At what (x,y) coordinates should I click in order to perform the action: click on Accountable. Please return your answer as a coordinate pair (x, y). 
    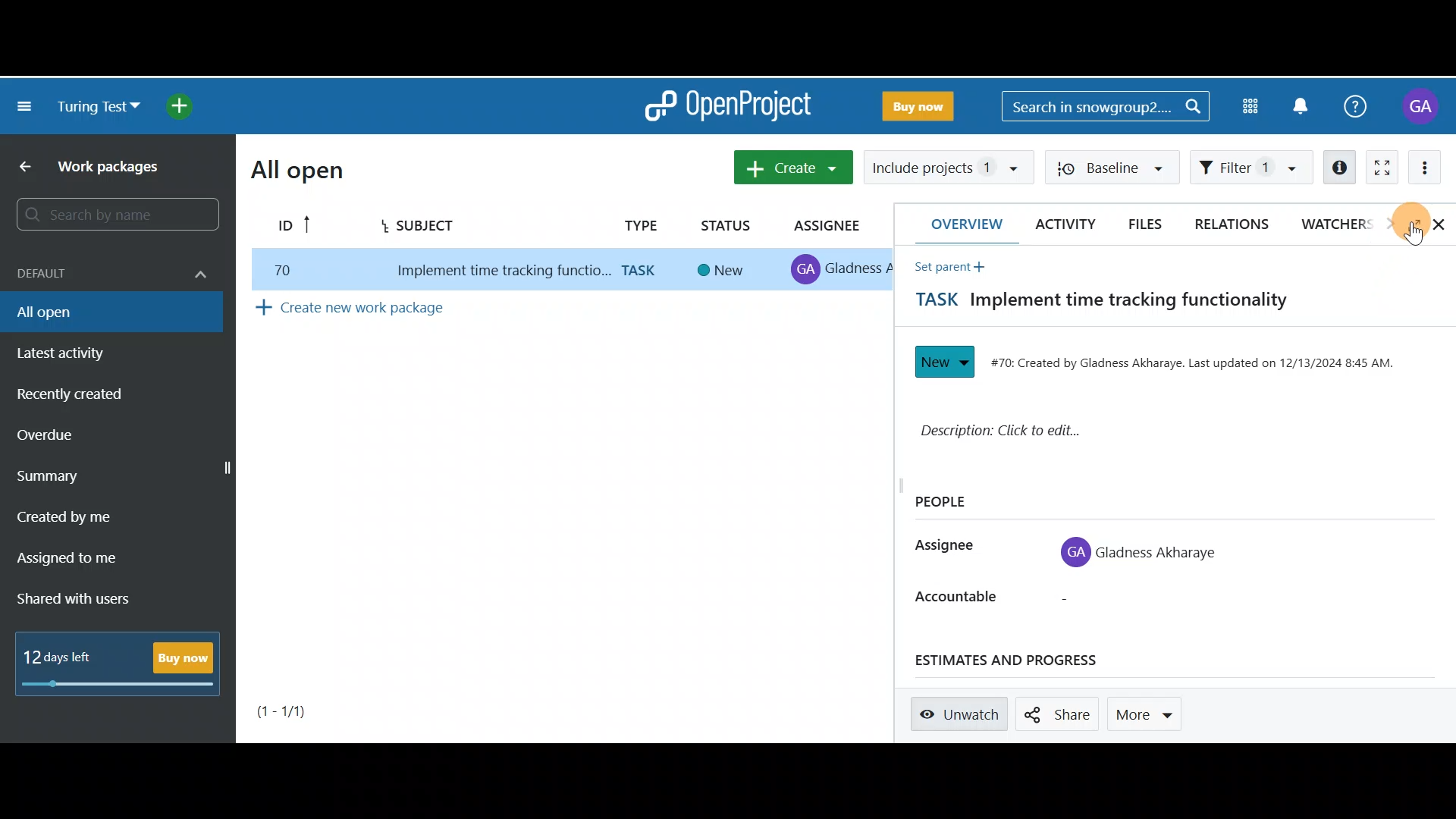
    Looking at the image, I should click on (968, 599).